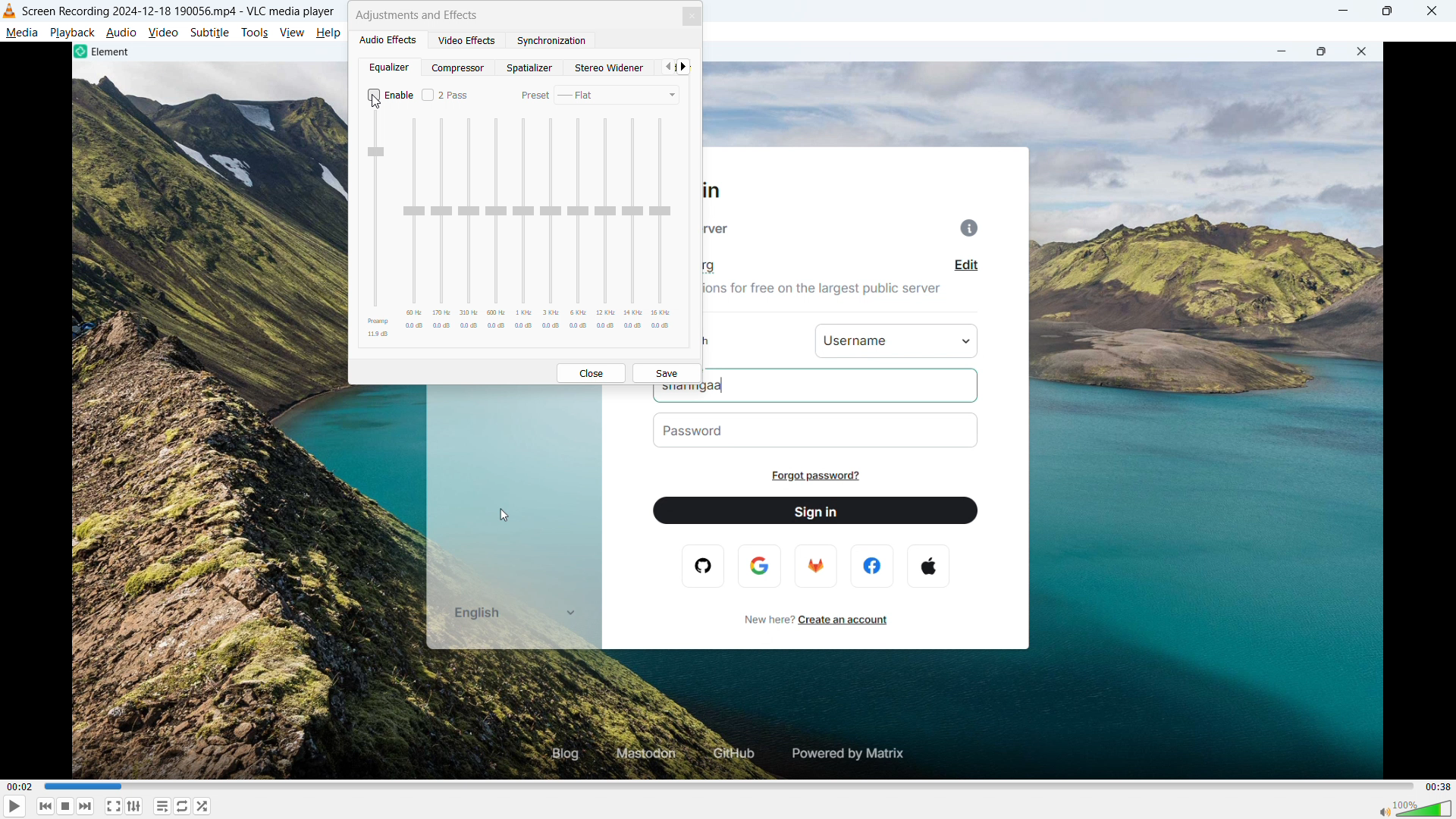  I want to click on Adjust 12 kilohertz , so click(606, 224).